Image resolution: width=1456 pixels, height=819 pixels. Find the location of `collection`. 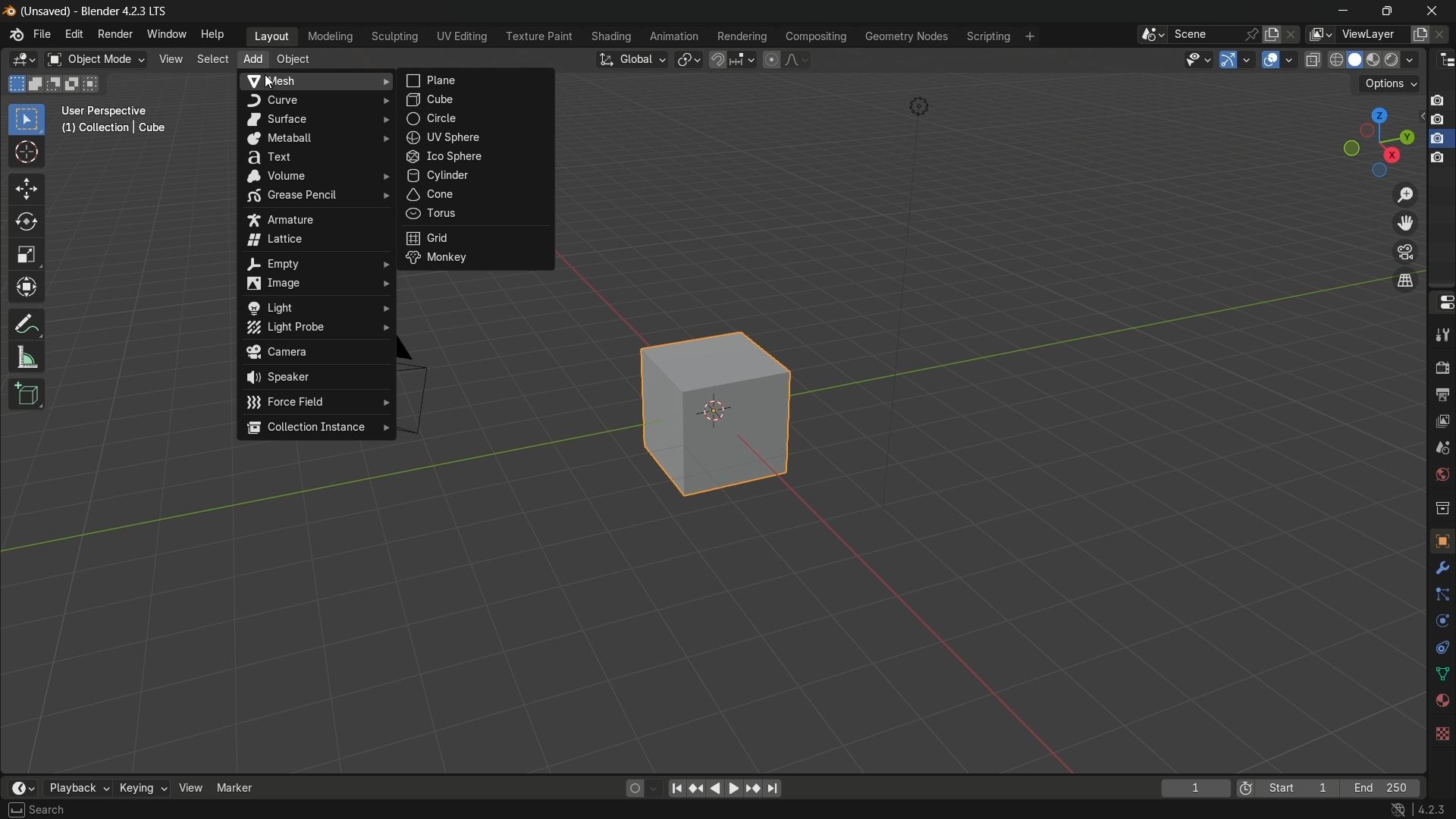

collection is located at coordinates (1441, 507).